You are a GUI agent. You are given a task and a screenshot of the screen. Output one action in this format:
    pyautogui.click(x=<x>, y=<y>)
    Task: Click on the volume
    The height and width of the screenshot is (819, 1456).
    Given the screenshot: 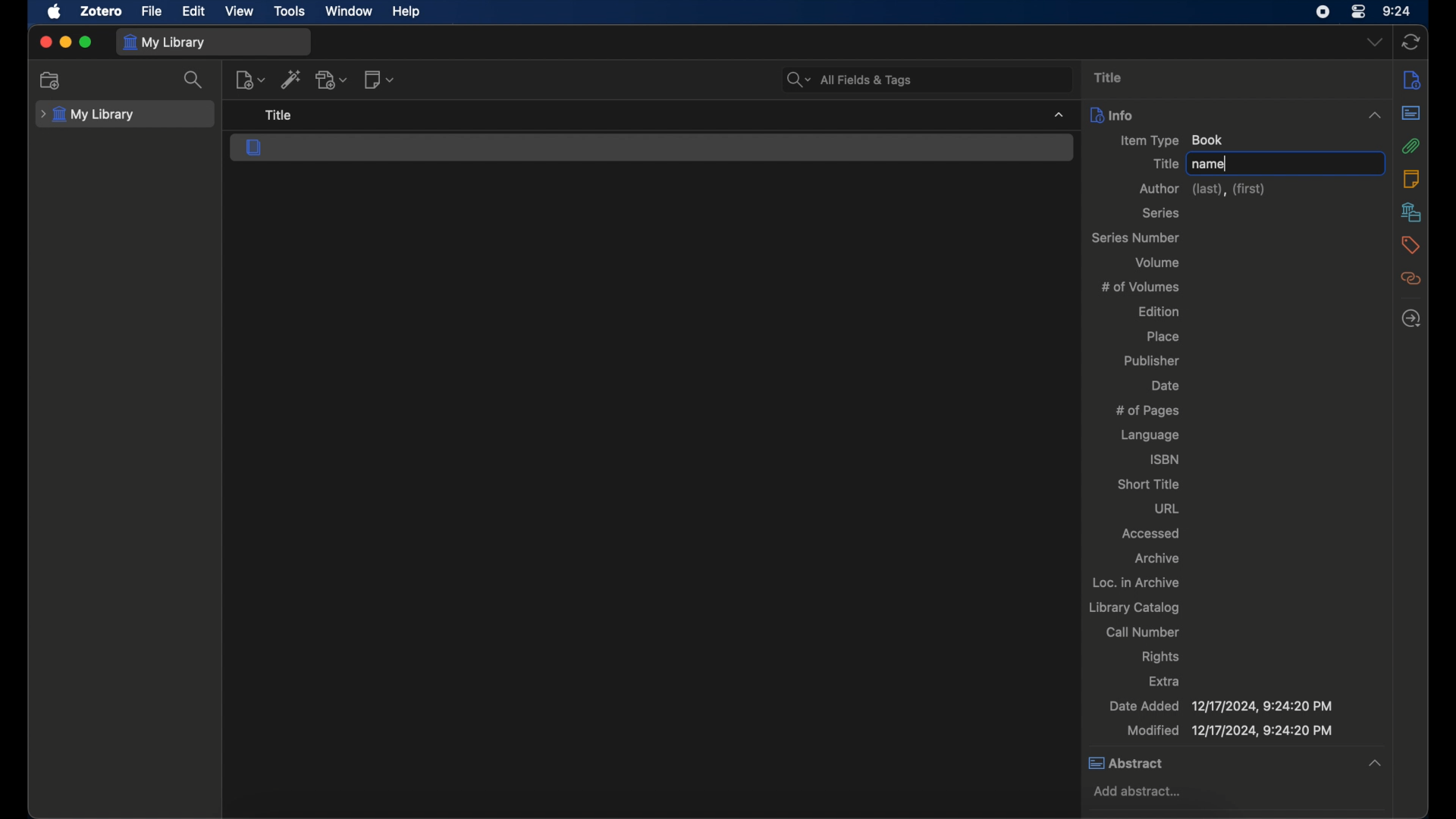 What is the action you would take?
    pyautogui.click(x=1159, y=262)
    